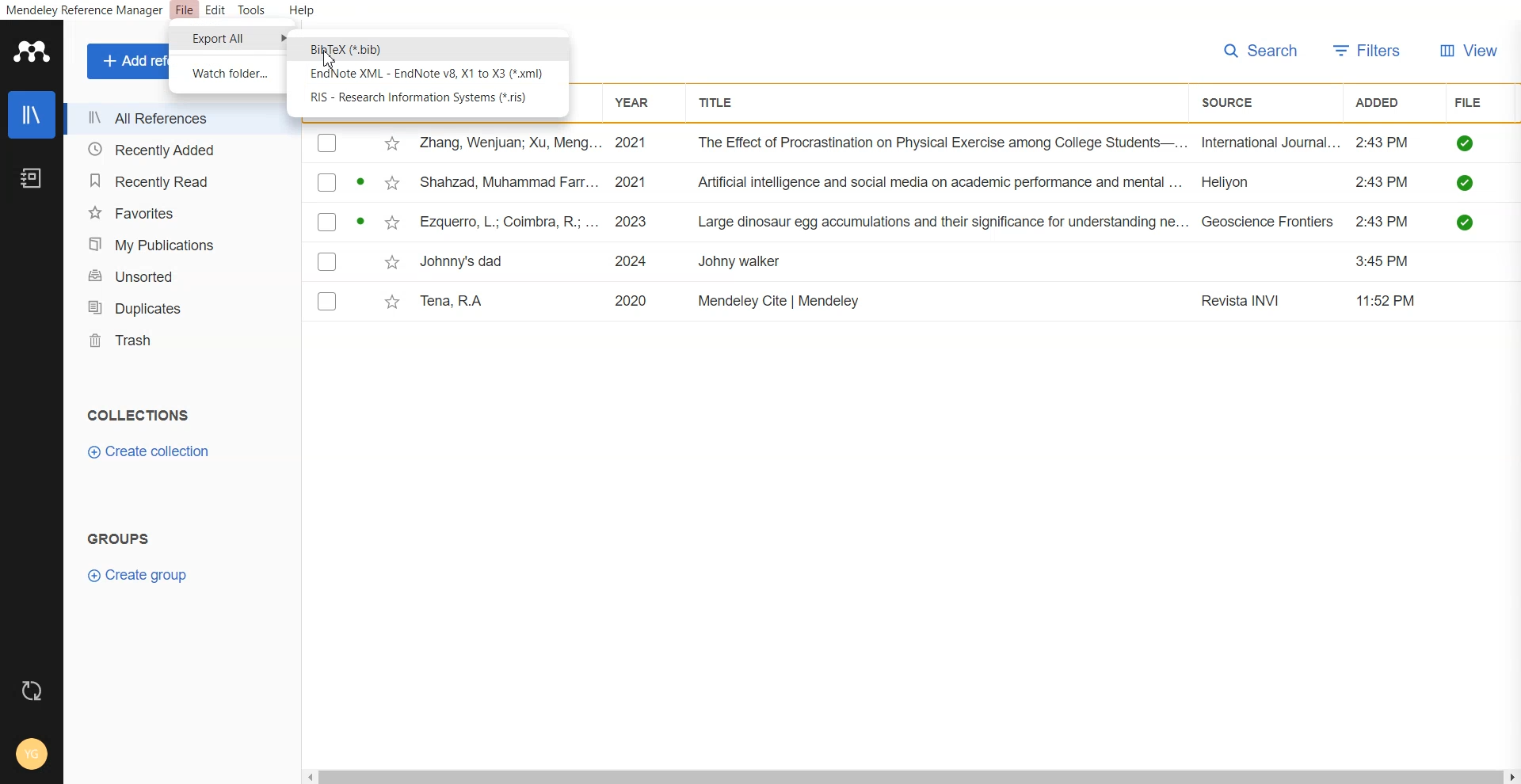  I want to click on saved, so click(1467, 143).